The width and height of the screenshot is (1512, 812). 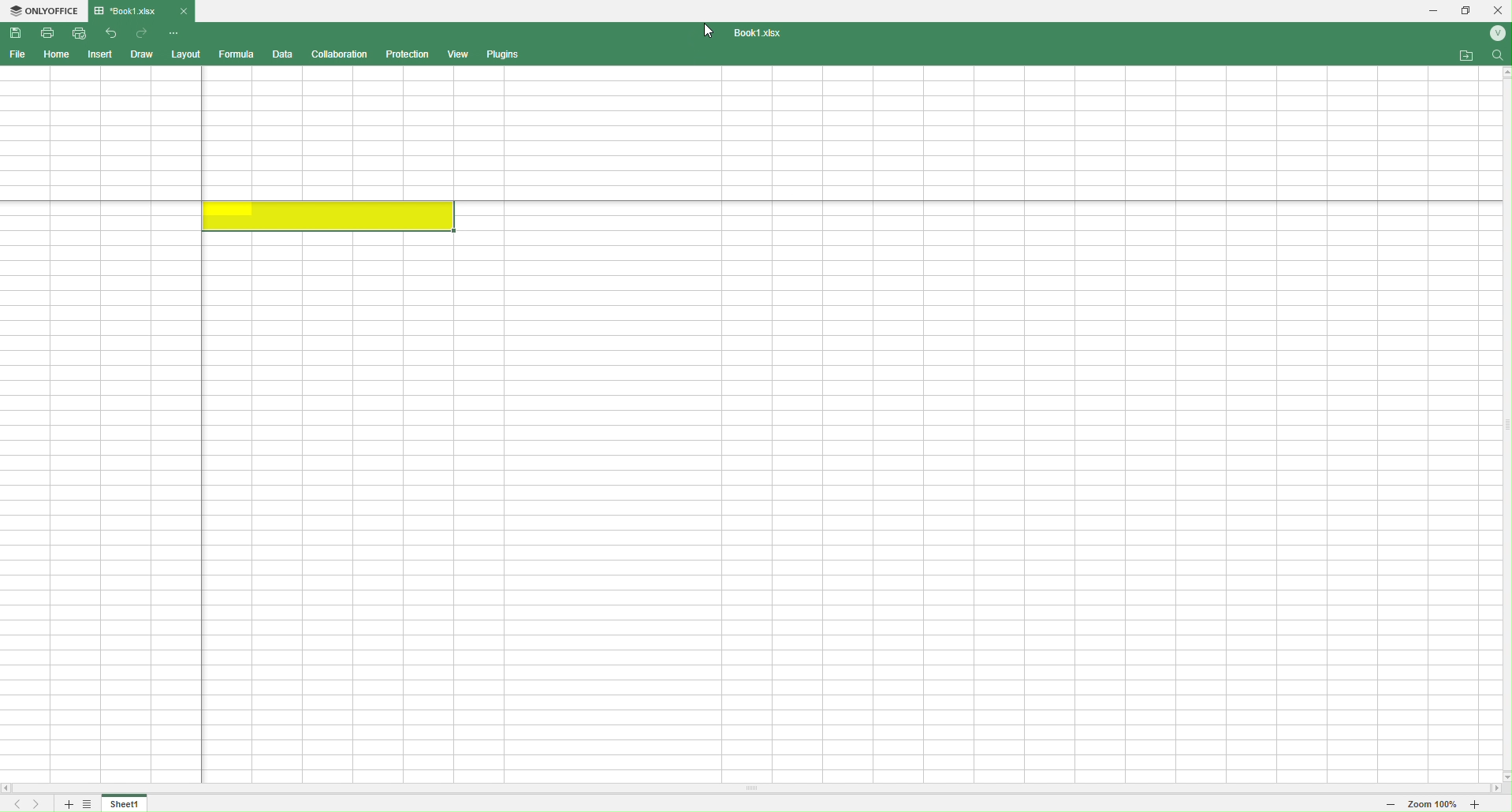 What do you see at coordinates (762, 34) in the screenshot?
I see `Book1.xlsx` at bounding box center [762, 34].